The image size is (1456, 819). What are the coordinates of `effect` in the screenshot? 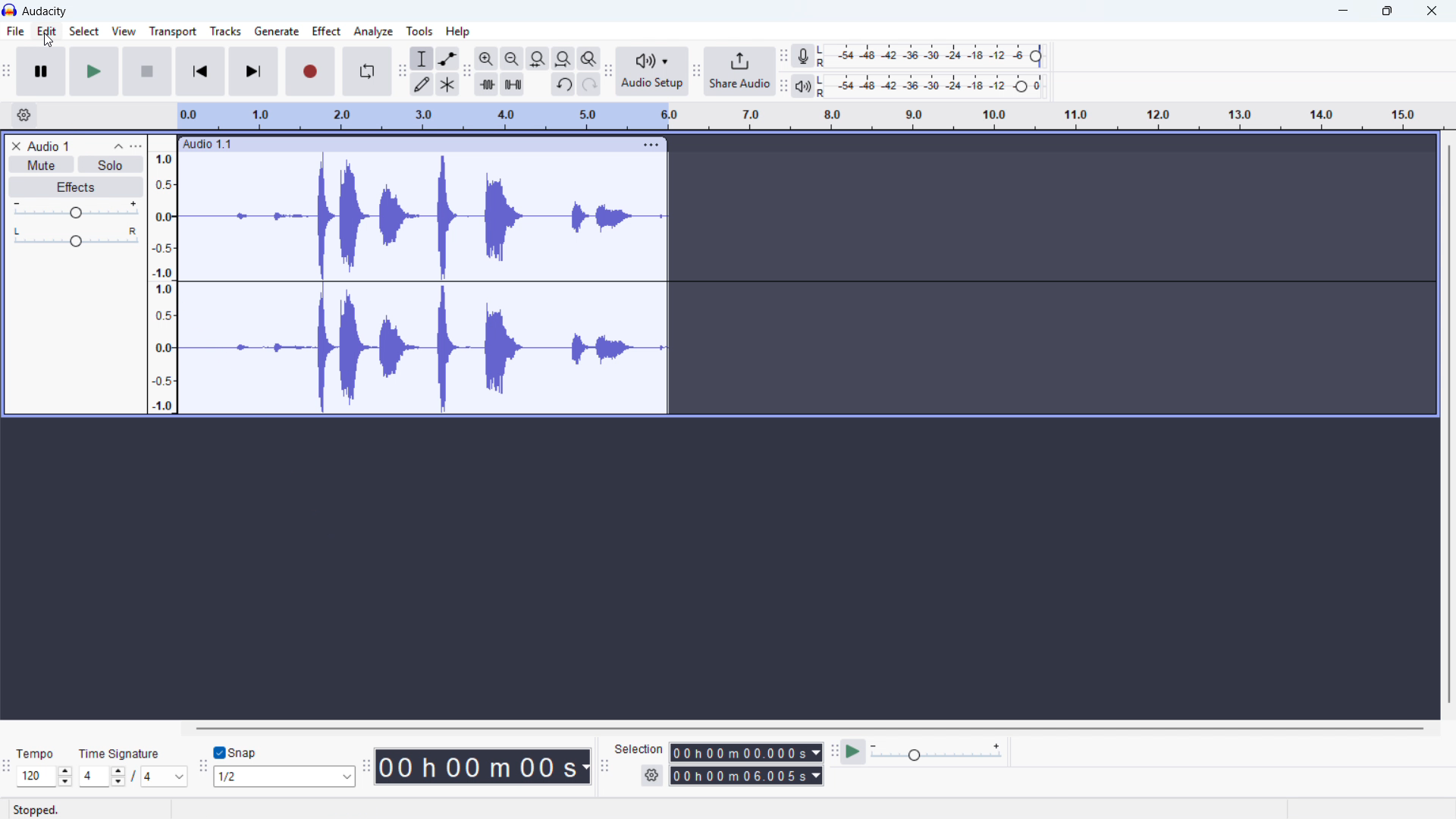 It's located at (328, 31).